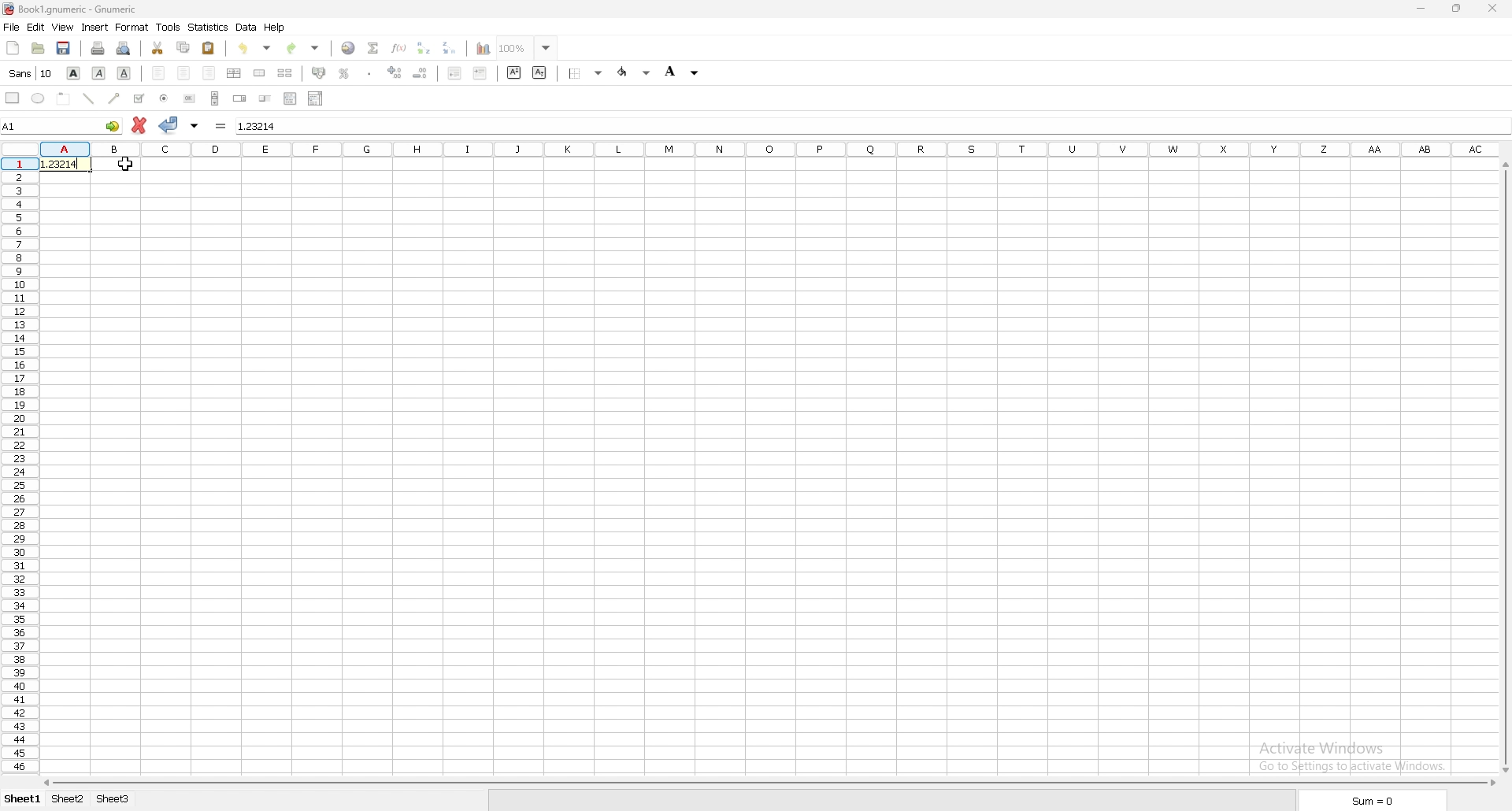  Describe the element at coordinates (39, 48) in the screenshot. I see `open` at that location.